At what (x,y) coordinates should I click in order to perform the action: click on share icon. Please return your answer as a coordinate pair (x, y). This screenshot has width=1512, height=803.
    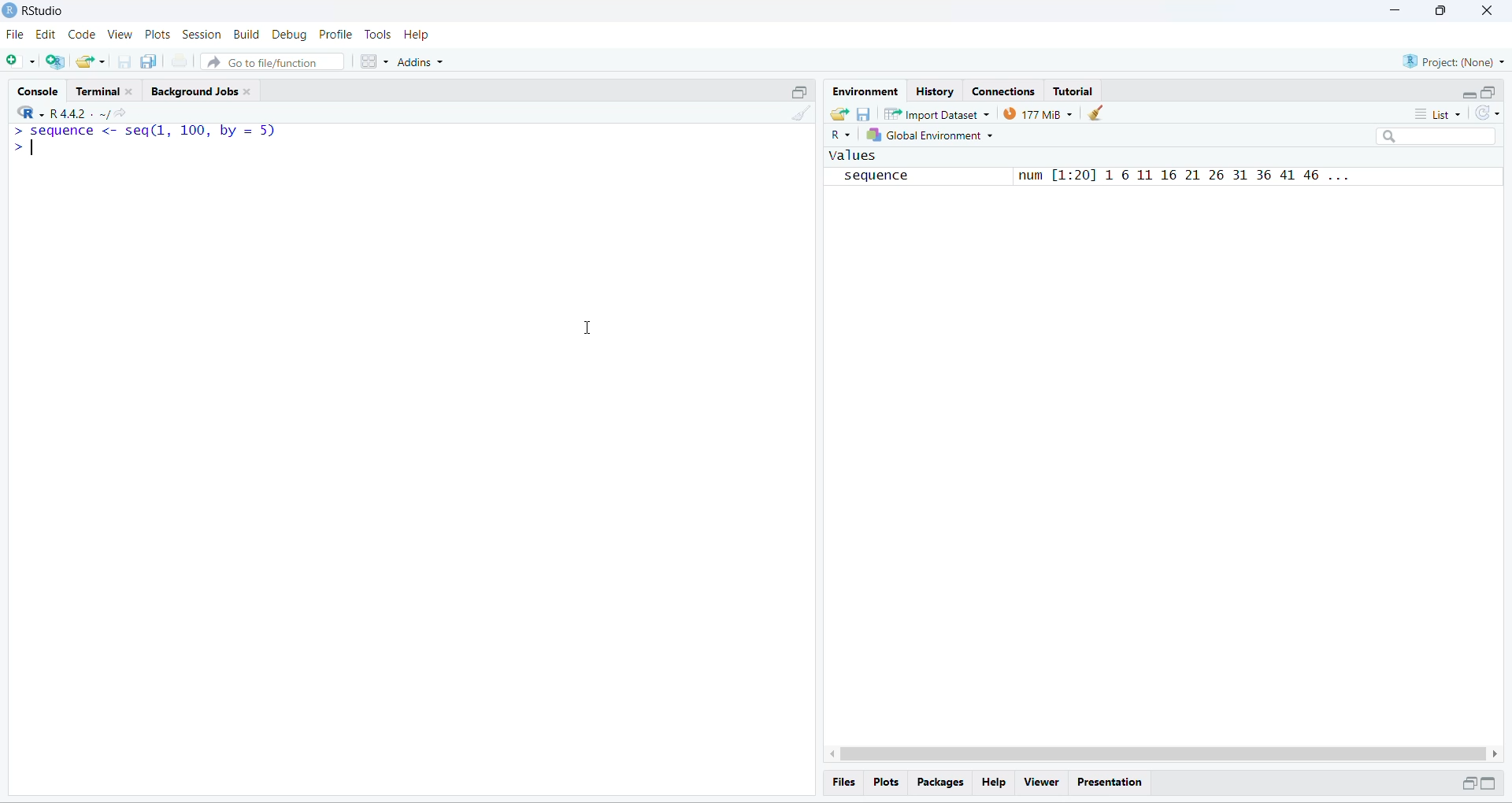
    Looking at the image, I should click on (122, 114).